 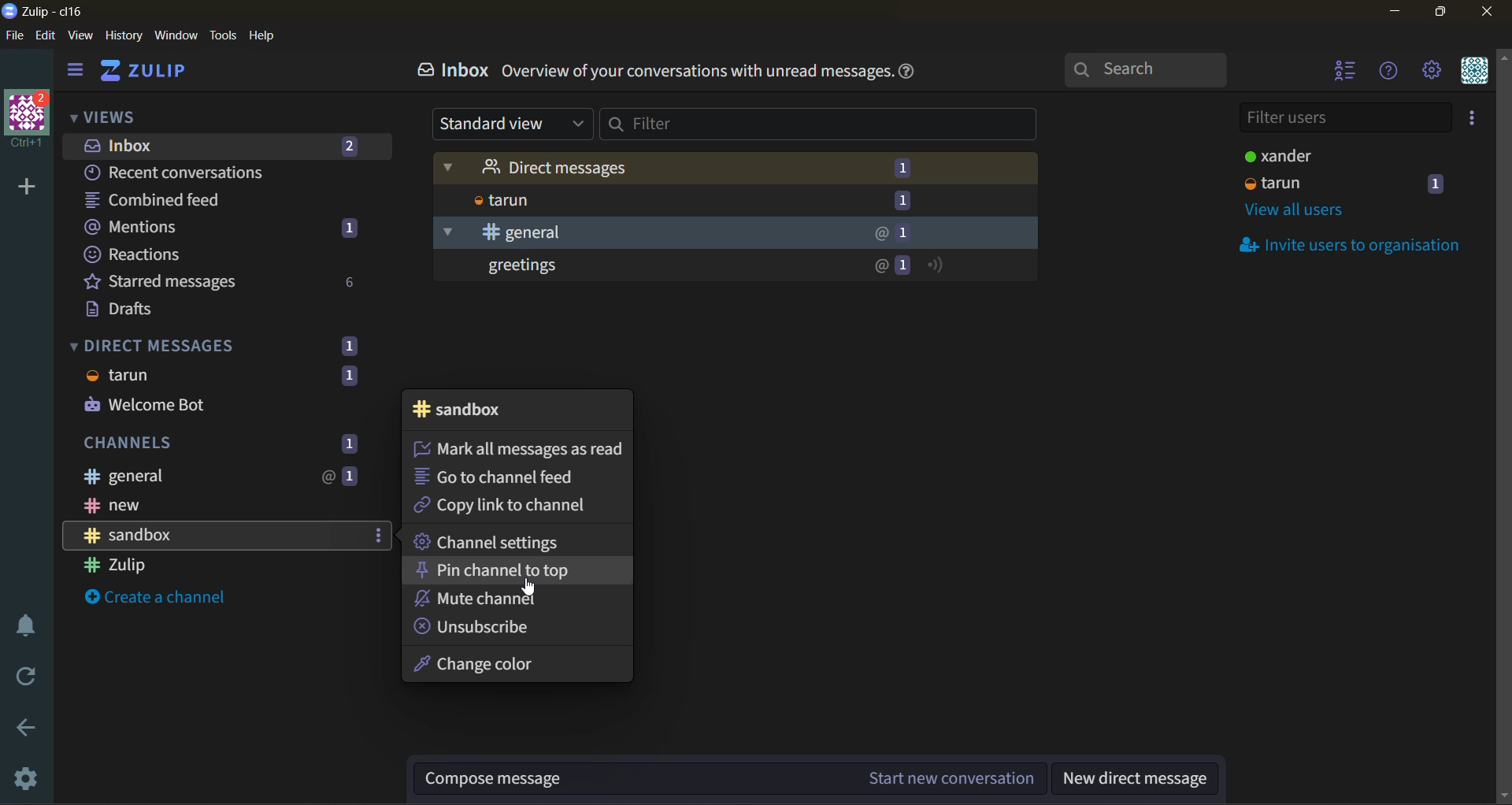 What do you see at coordinates (919, 71) in the screenshot?
I see `help` at bounding box center [919, 71].